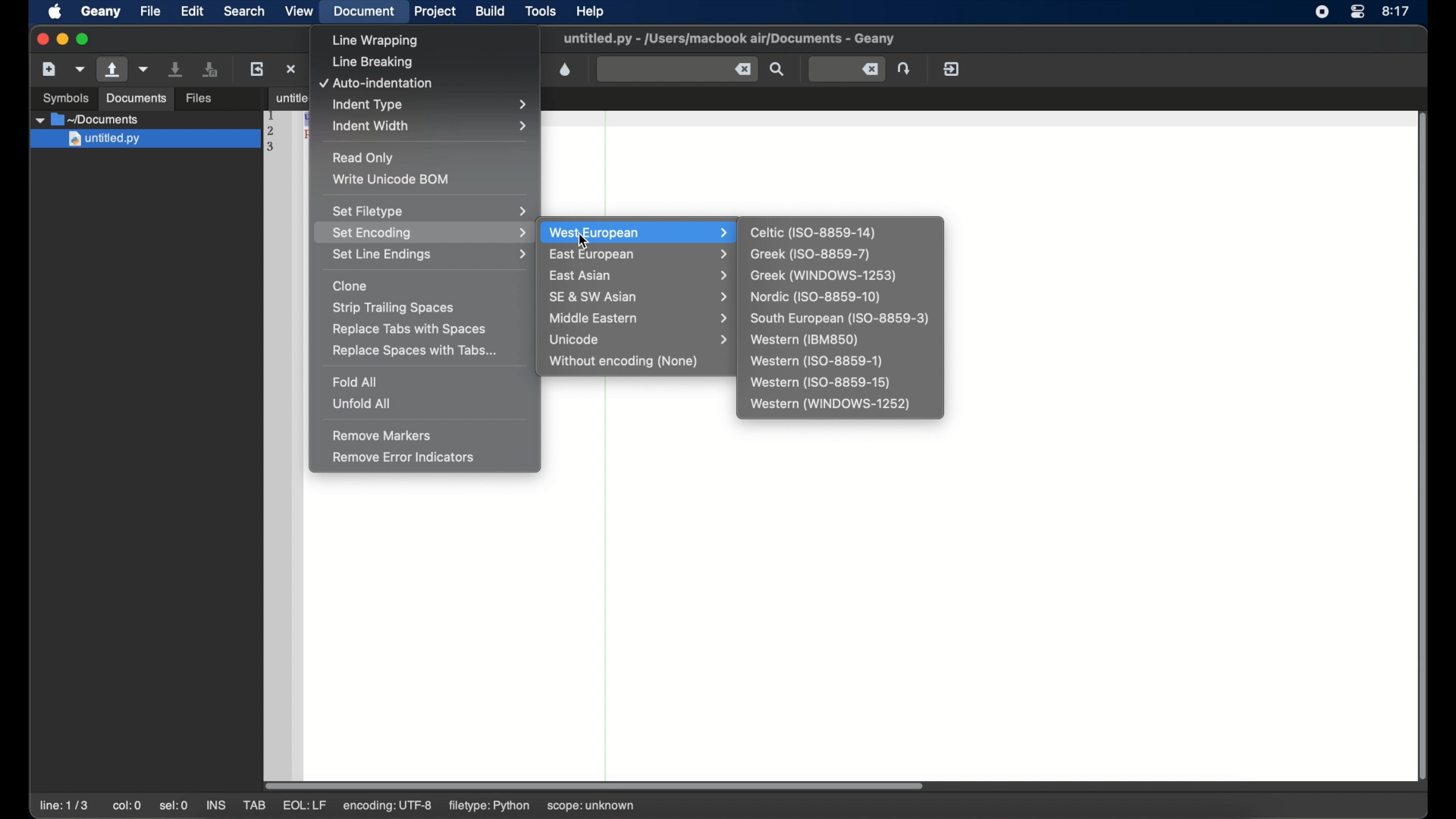  Describe the element at coordinates (253, 805) in the screenshot. I see `tab` at that location.